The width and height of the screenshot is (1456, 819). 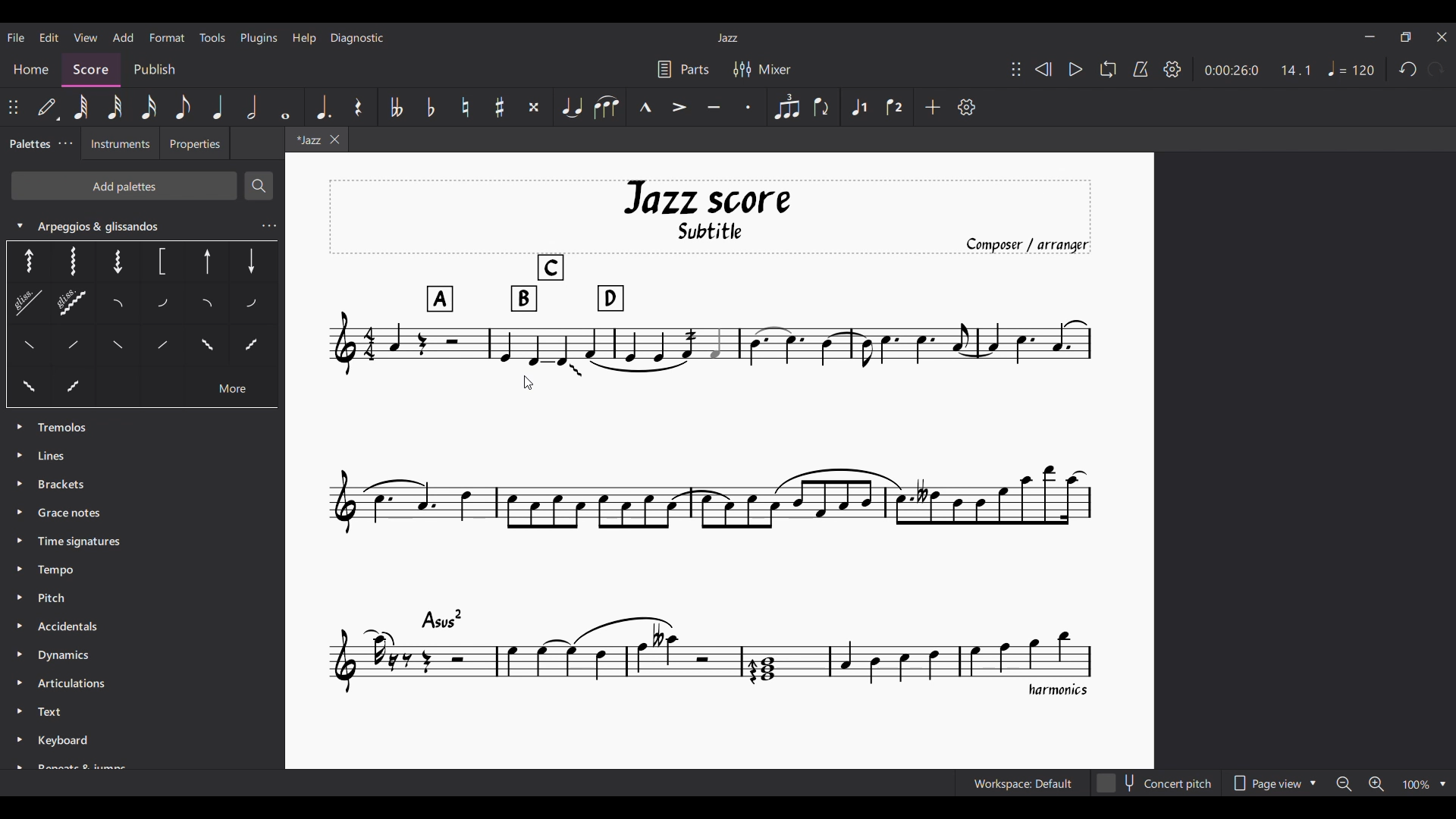 I want to click on Voice 2, so click(x=896, y=106).